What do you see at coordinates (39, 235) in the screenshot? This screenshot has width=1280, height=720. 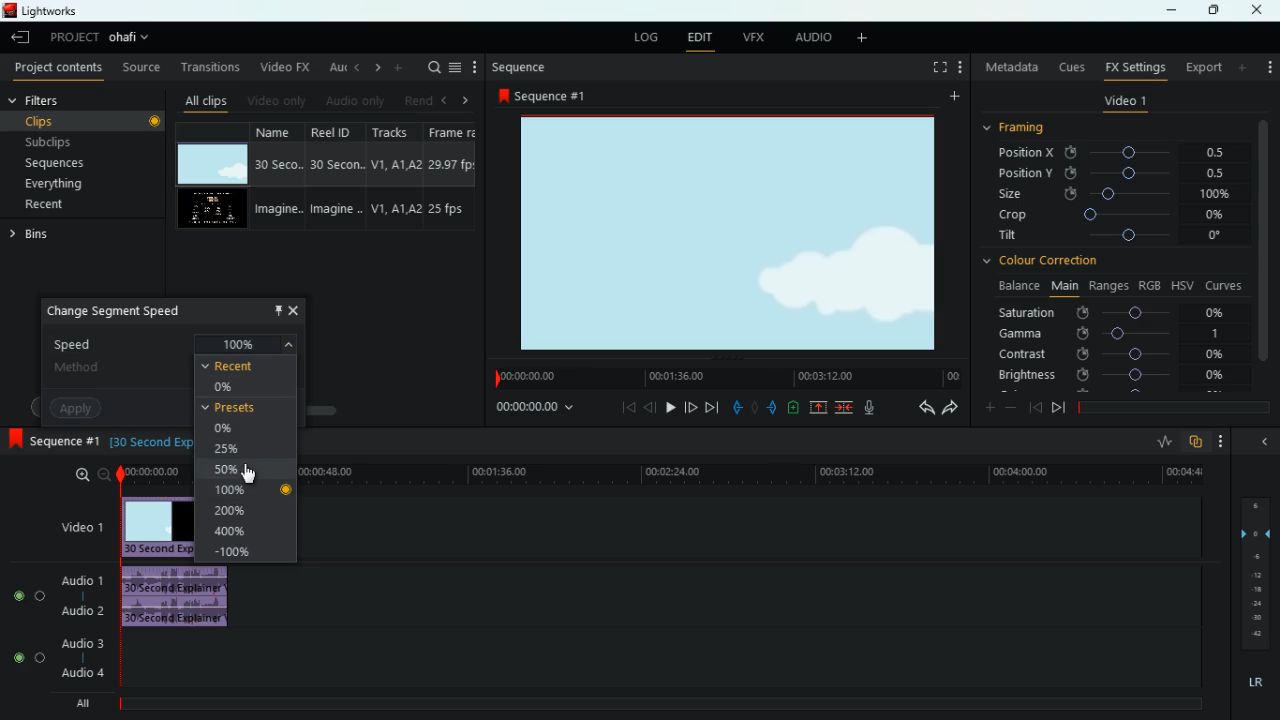 I see `bins` at bounding box center [39, 235].